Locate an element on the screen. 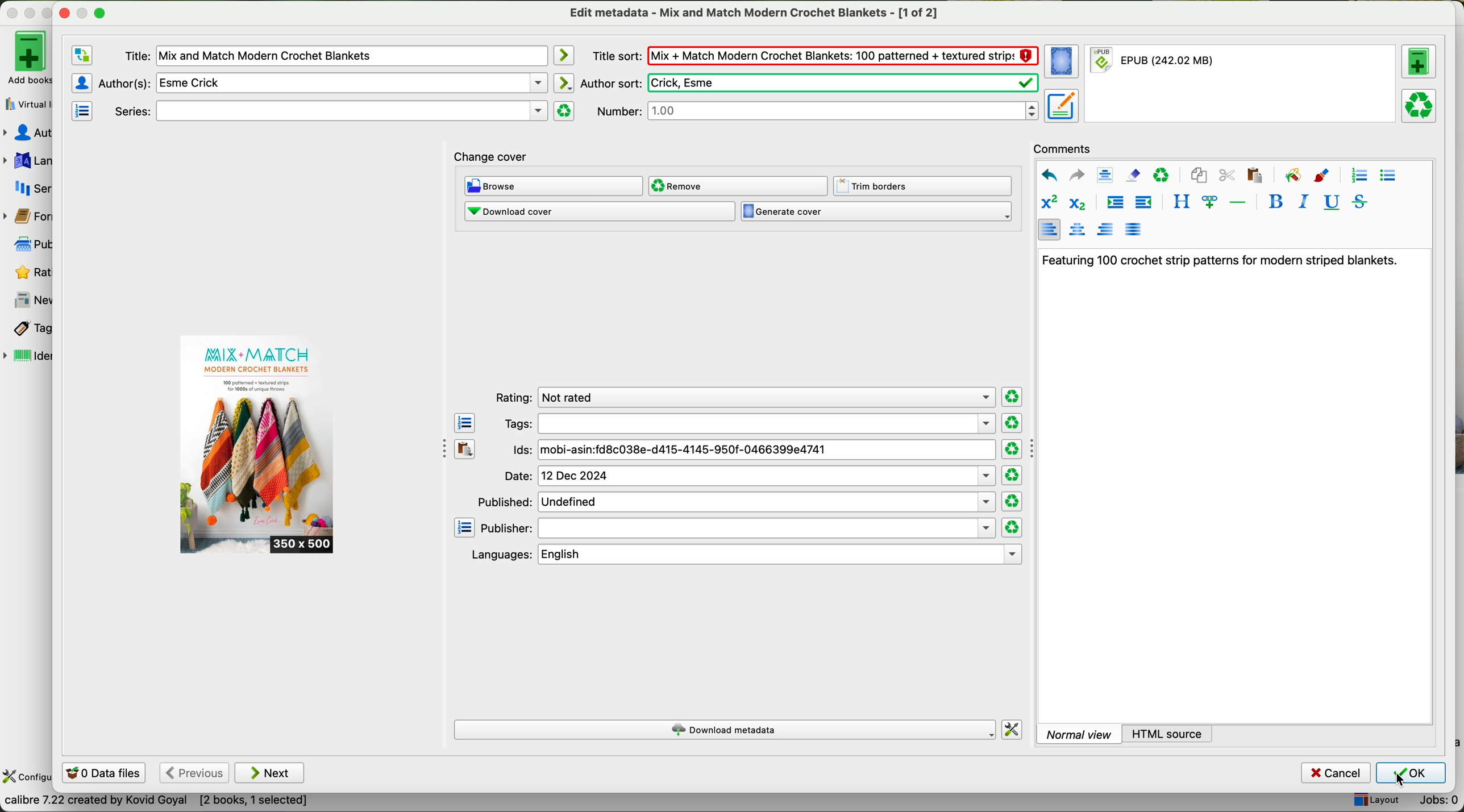 The width and height of the screenshot is (1464, 812). data is located at coordinates (156, 803).